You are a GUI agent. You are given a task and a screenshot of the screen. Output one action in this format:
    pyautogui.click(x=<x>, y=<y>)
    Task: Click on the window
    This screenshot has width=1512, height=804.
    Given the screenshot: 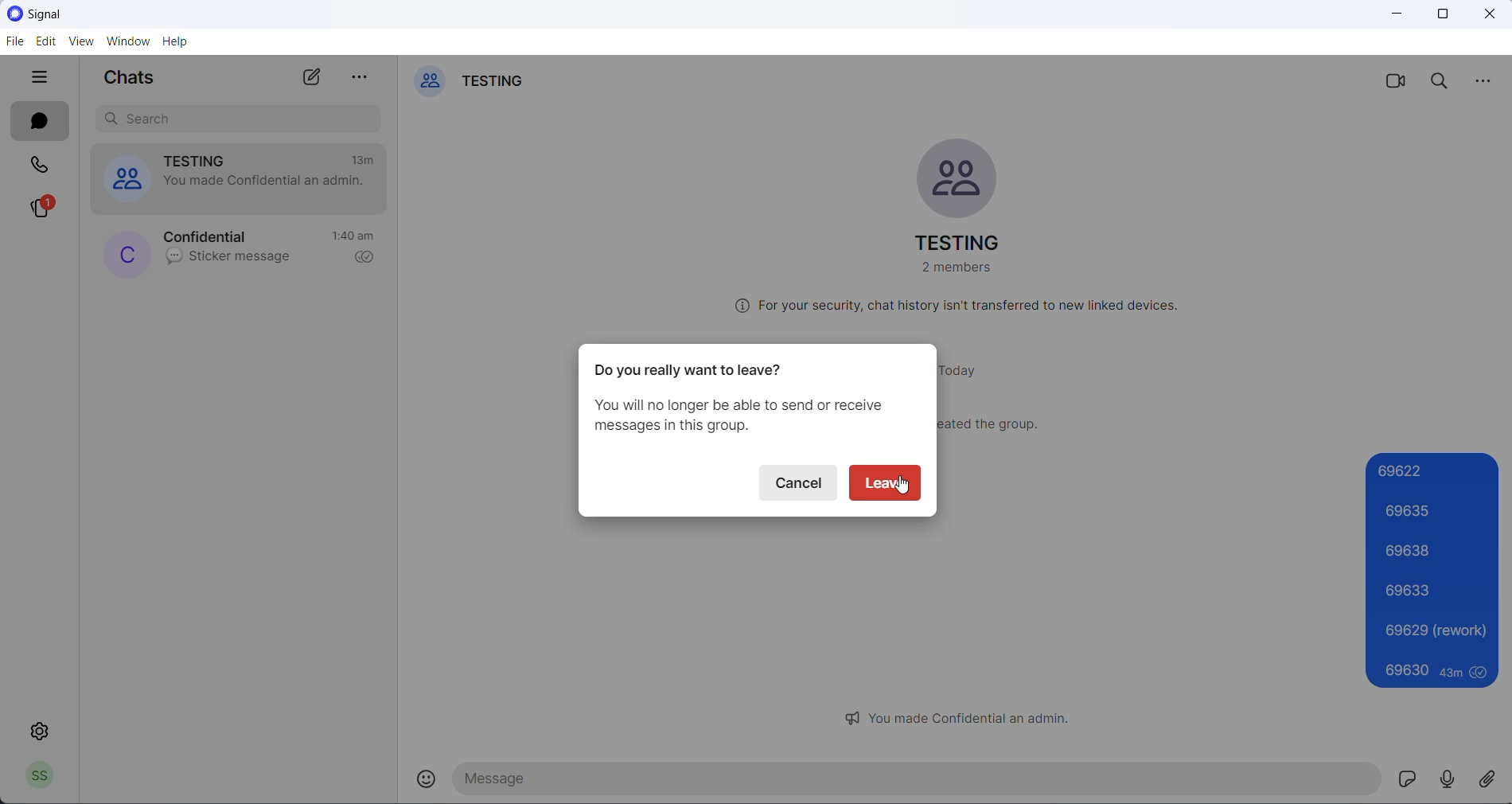 What is the action you would take?
    pyautogui.click(x=127, y=44)
    